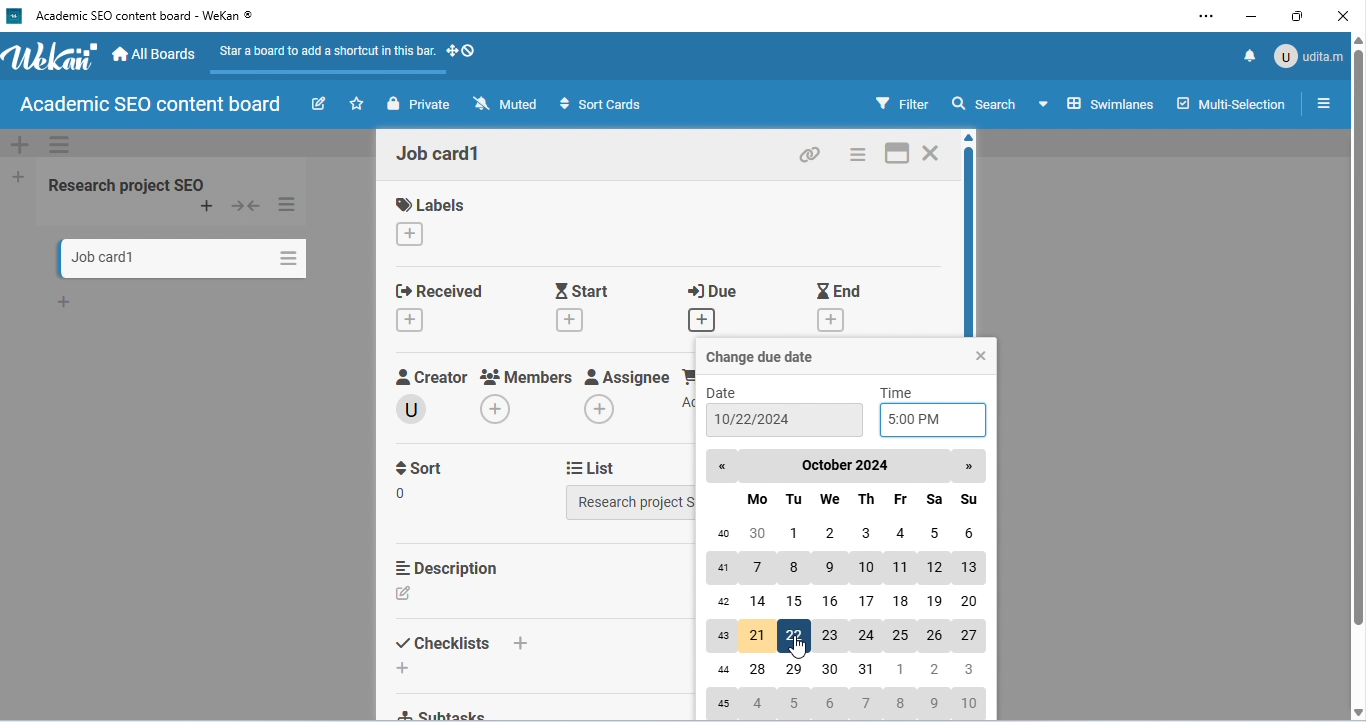 The image size is (1366, 722). I want to click on current window: ‘Academic SEO content board - WeKan, so click(143, 16).